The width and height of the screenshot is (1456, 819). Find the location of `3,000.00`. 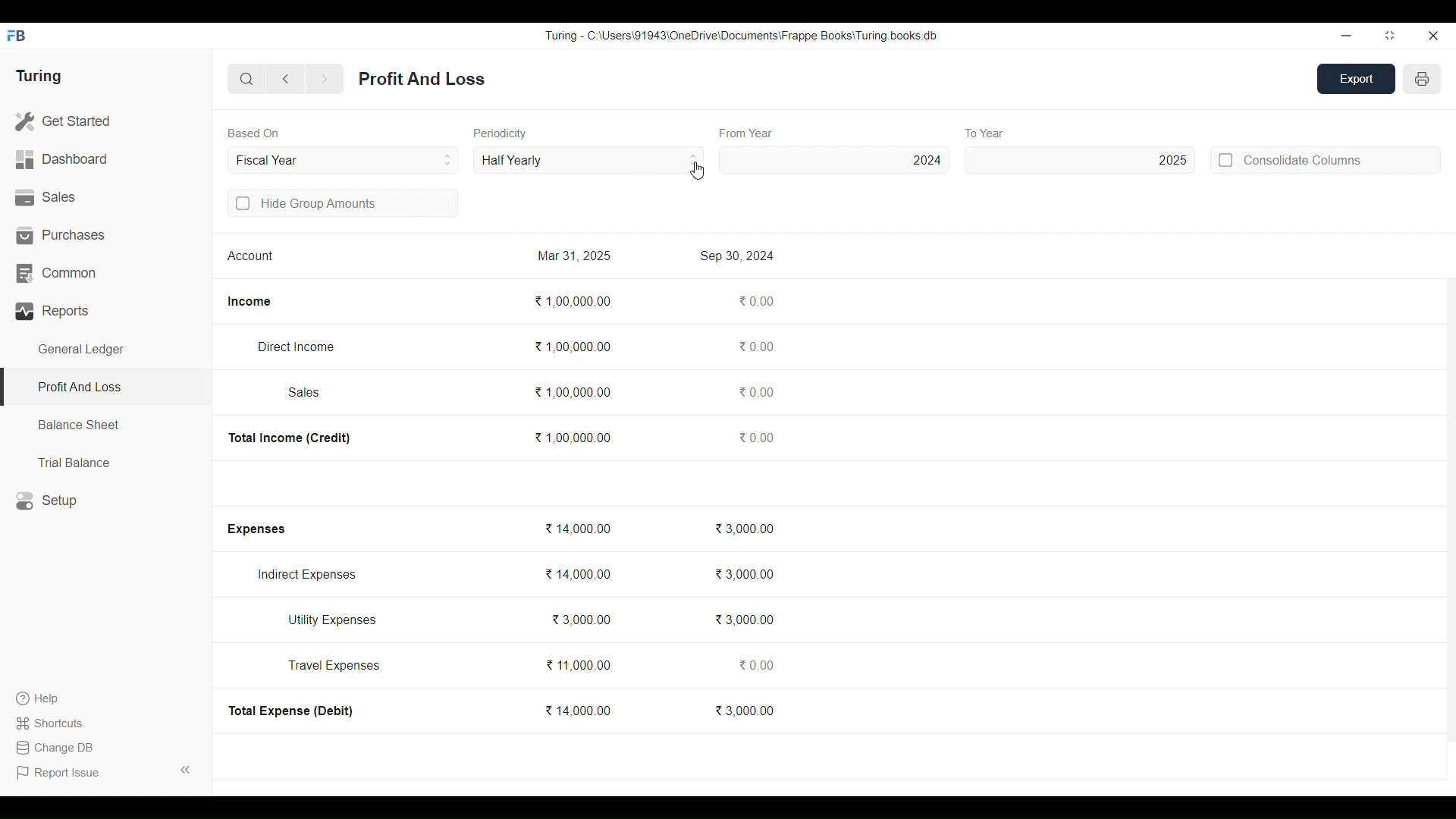

3,000.00 is located at coordinates (580, 620).